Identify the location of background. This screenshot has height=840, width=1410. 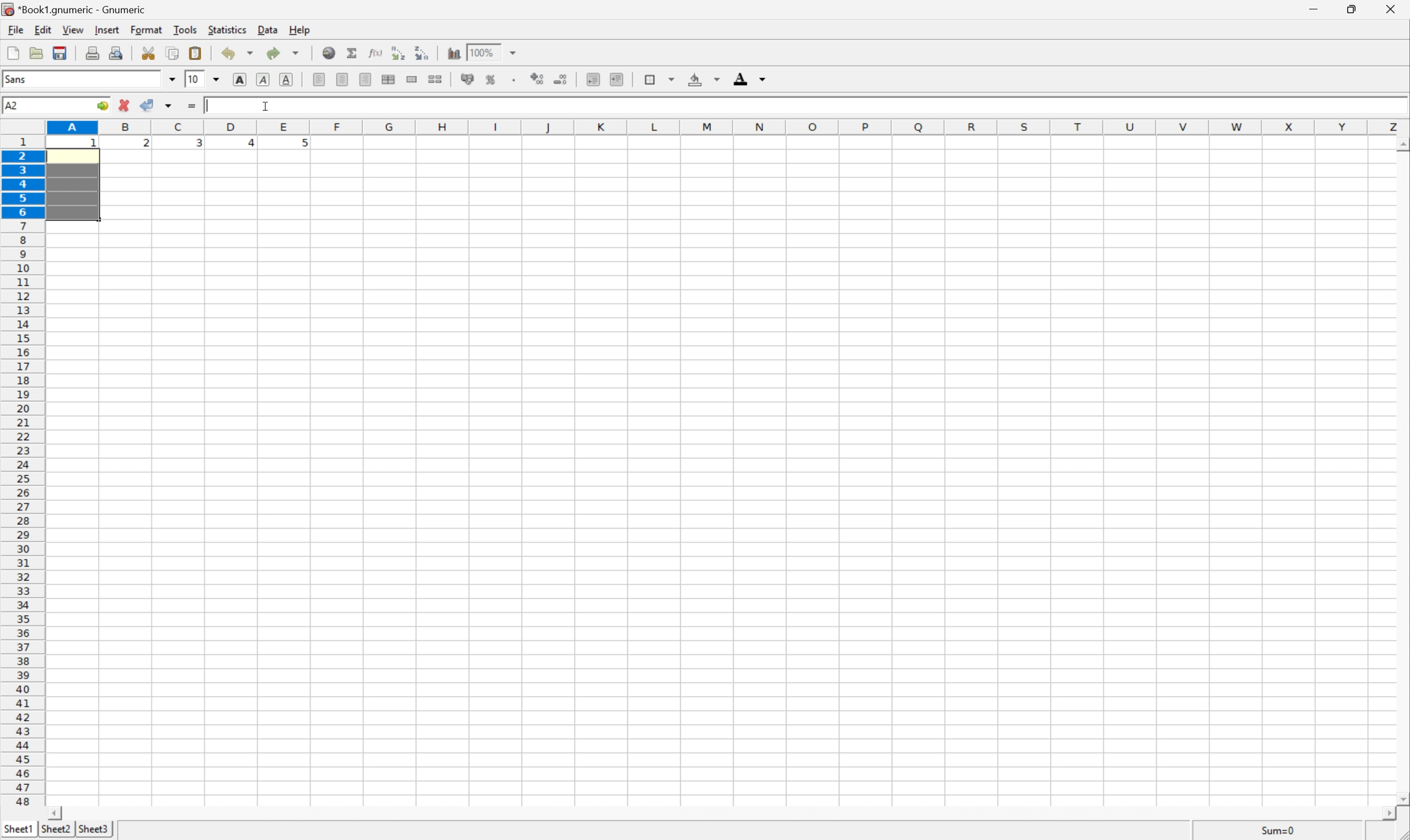
(705, 79).